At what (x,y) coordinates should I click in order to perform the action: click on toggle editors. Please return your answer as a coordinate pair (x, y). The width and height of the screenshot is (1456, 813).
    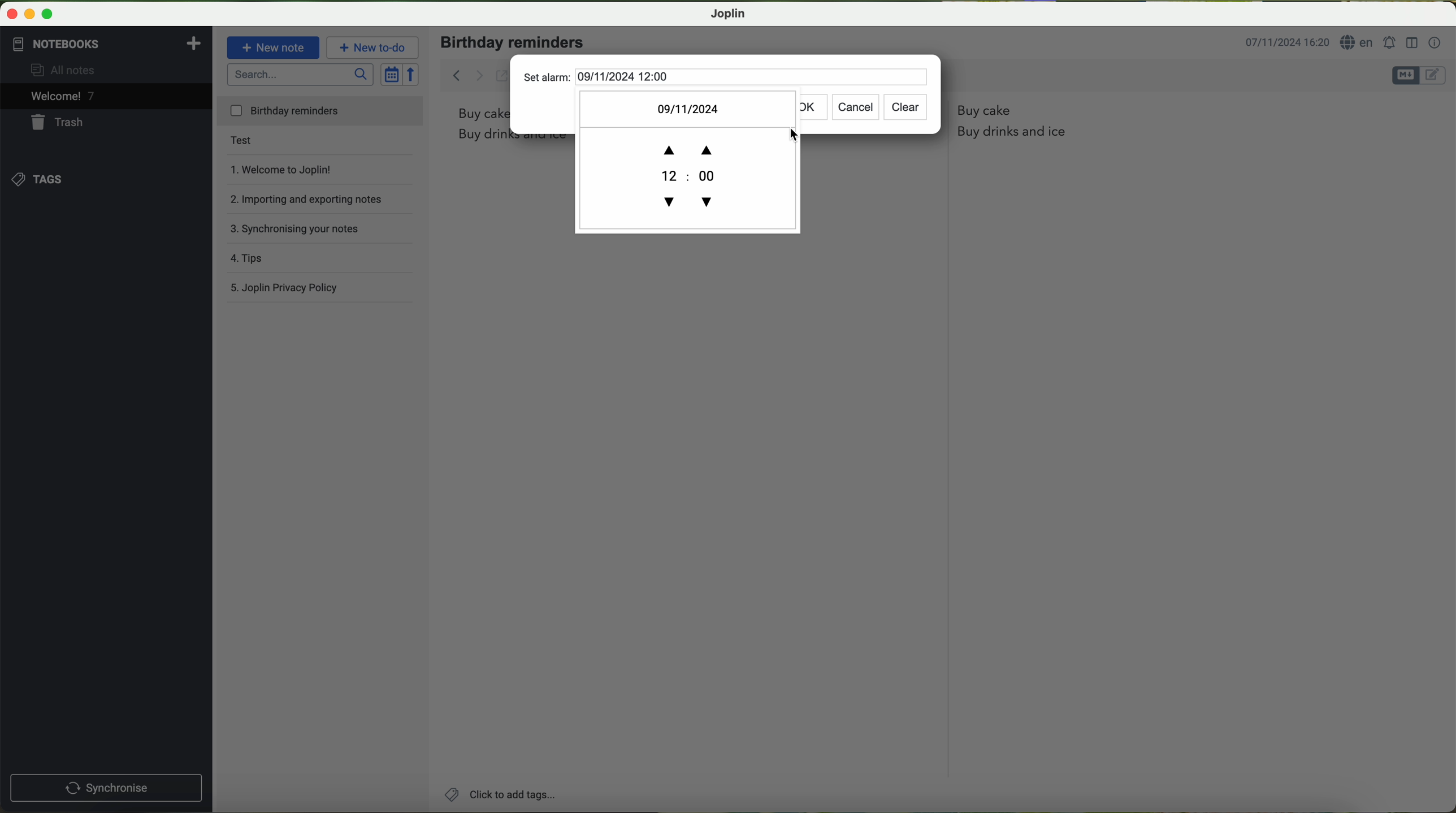
    Looking at the image, I should click on (1420, 76).